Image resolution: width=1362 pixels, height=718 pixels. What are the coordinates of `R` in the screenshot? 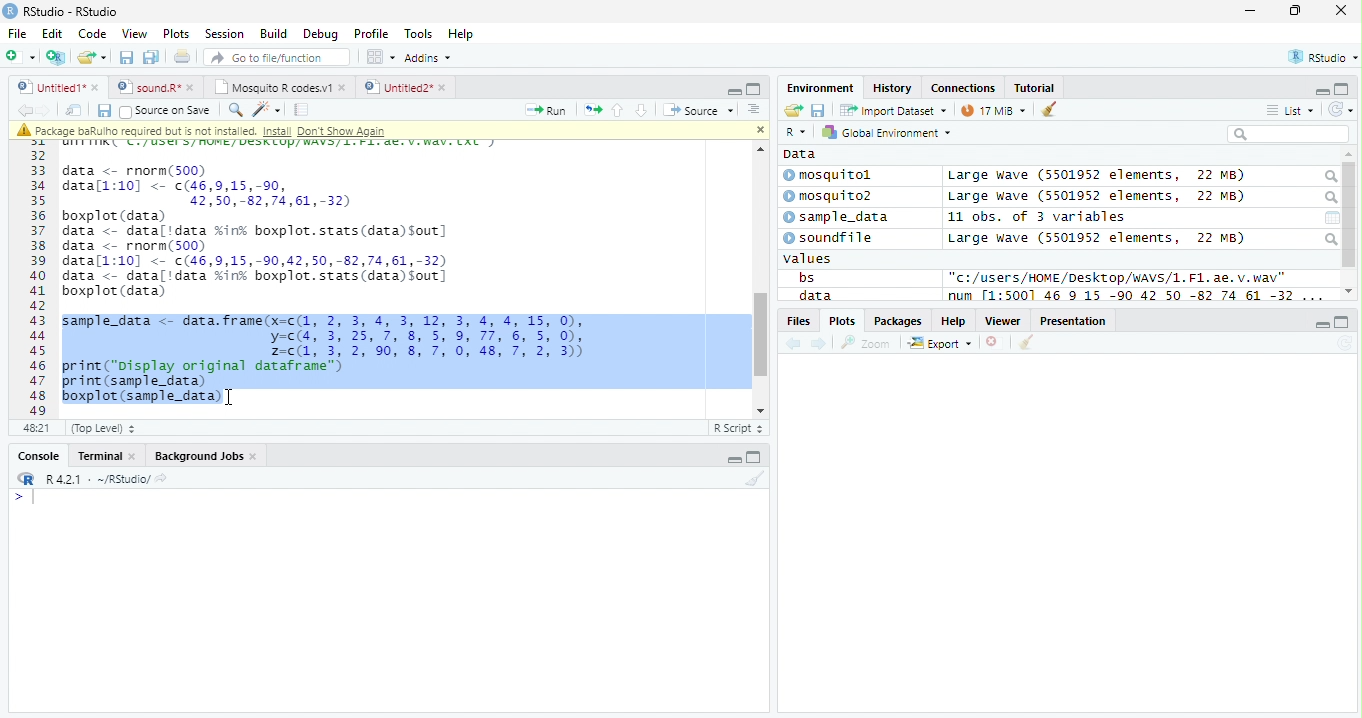 It's located at (798, 132).